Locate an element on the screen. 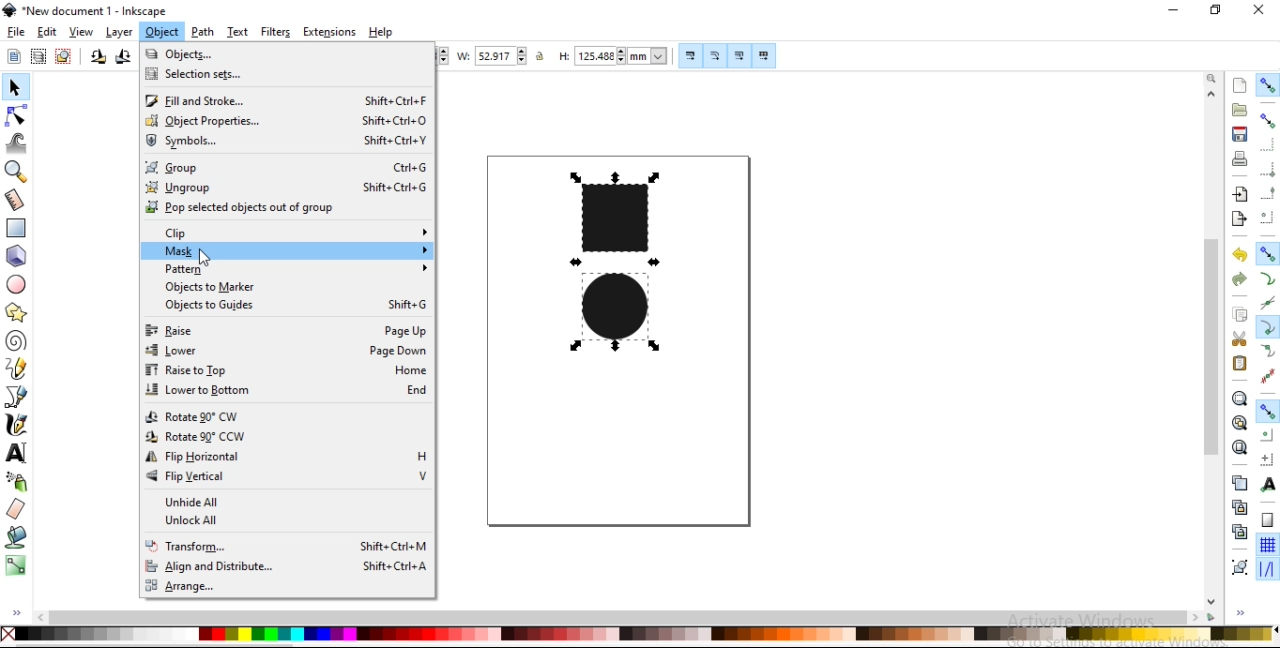 The width and height of the screenshot is (1280, 648). cursor is located at coordinates (199, 257).